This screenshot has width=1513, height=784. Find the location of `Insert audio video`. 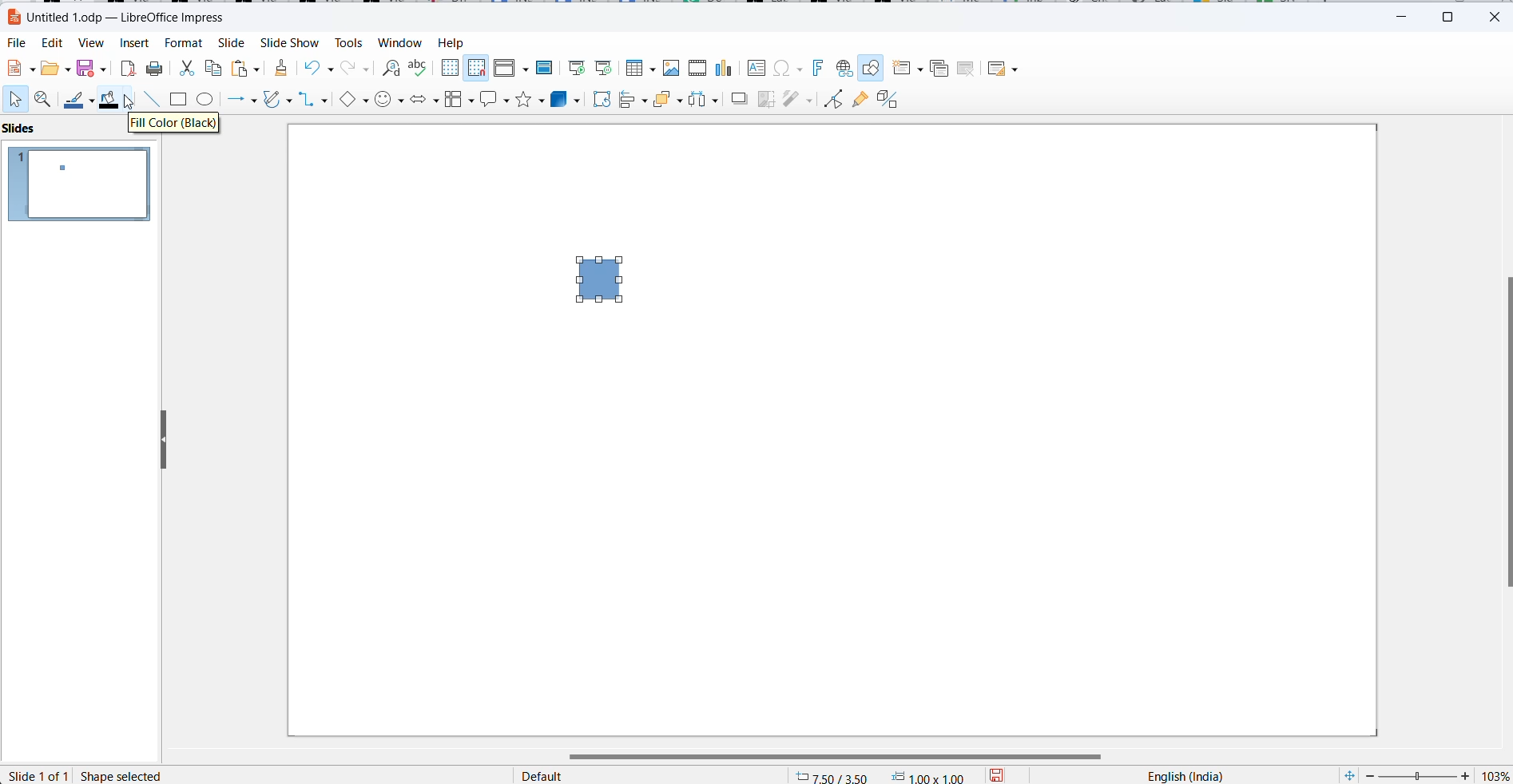

Insert audio video is located at coordinates (699, 69).